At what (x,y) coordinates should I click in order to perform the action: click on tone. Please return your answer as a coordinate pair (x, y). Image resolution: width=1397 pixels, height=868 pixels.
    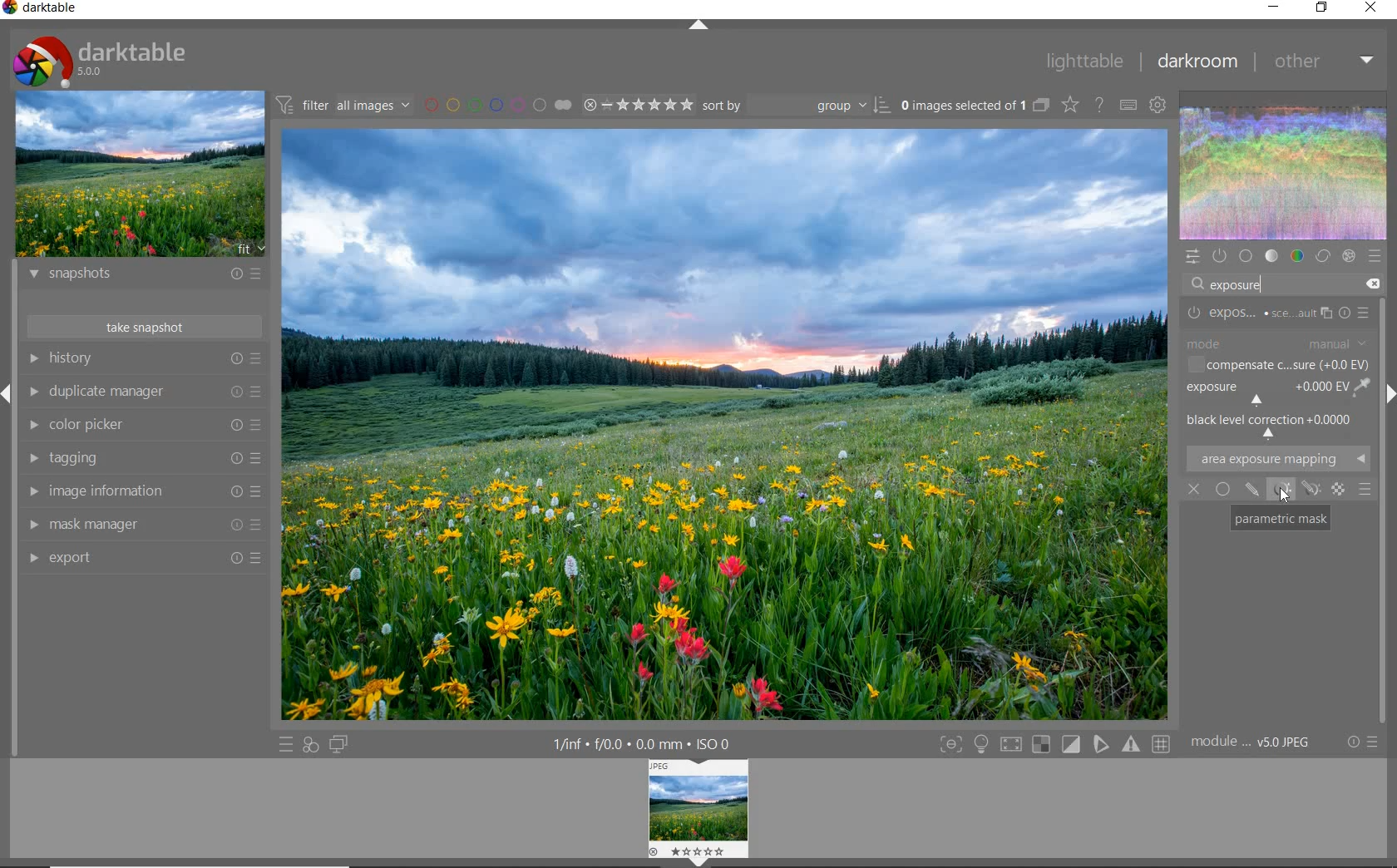
    Looking at the image, I should click on (1272, 257).